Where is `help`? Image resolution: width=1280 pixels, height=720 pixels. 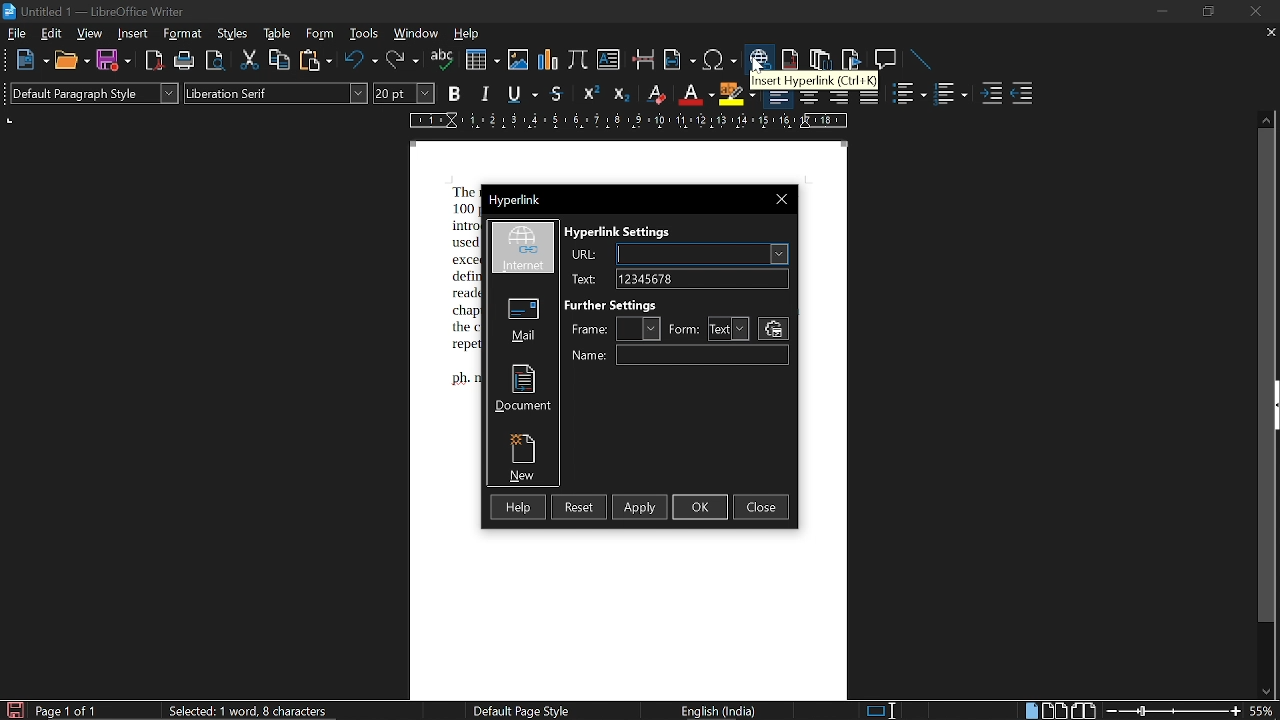 help is located at coordinates (466, 36).